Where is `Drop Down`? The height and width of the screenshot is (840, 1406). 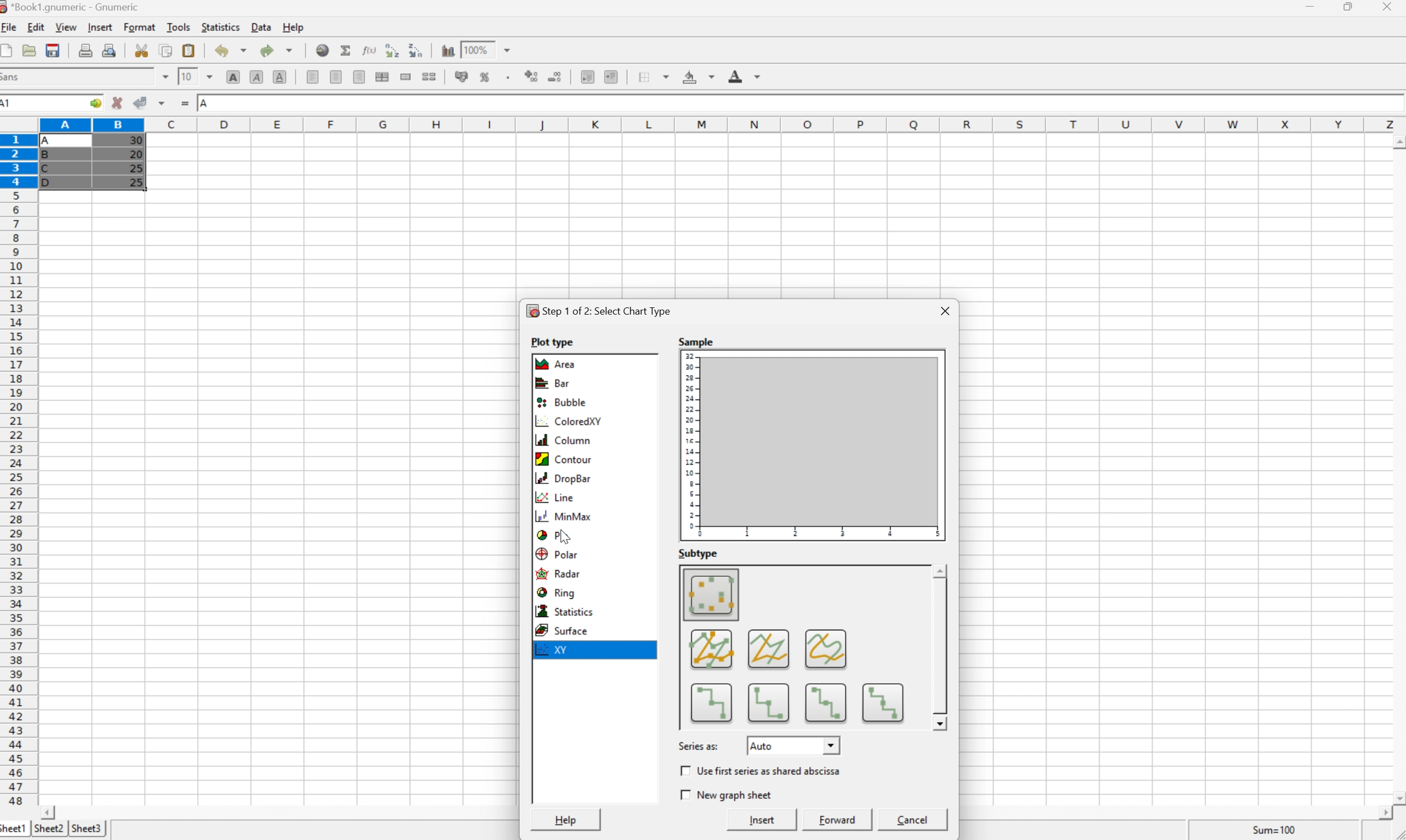
Drop Down is located at coordinates (832, 744).